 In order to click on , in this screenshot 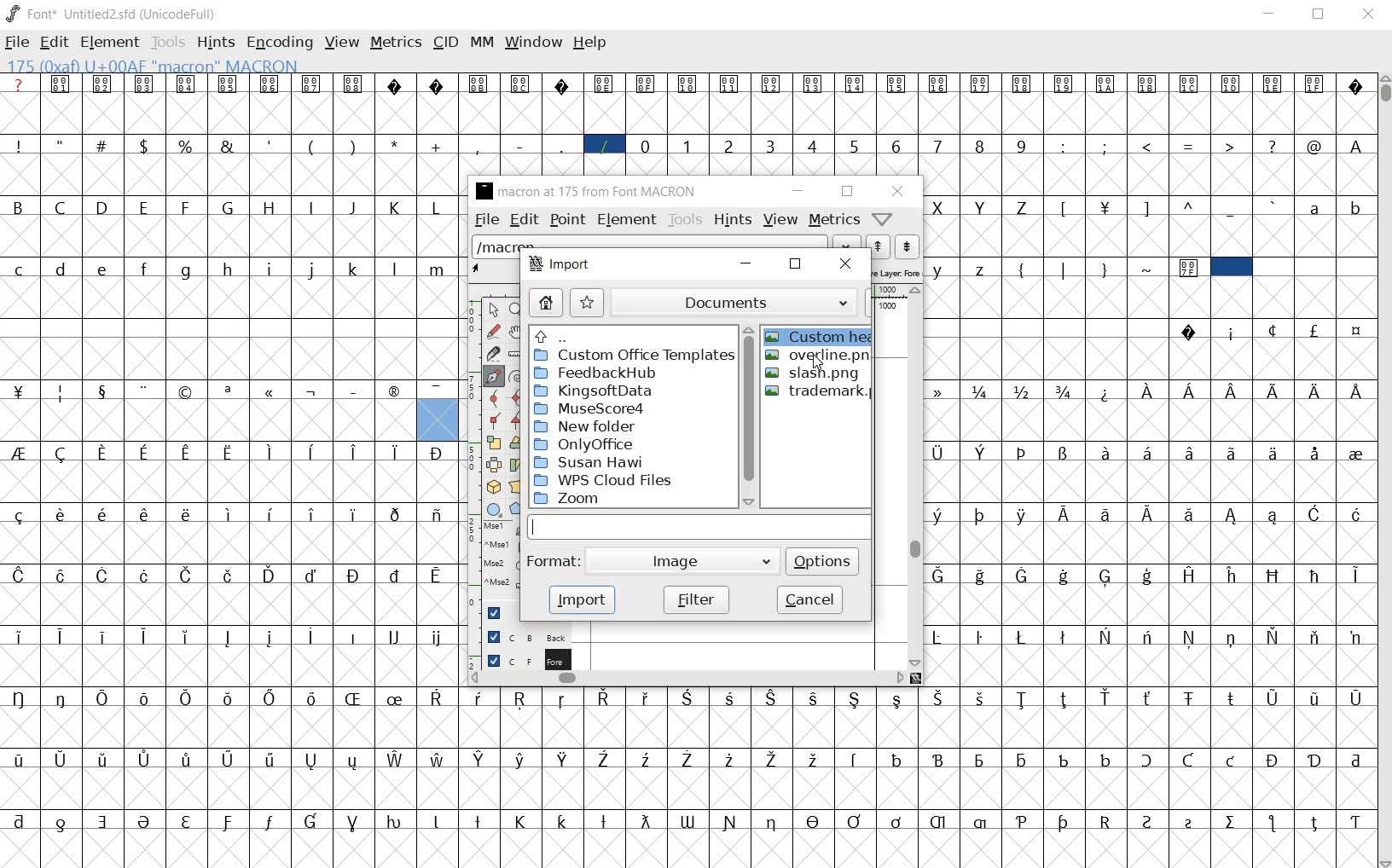, I will do `click(478, 148)`.